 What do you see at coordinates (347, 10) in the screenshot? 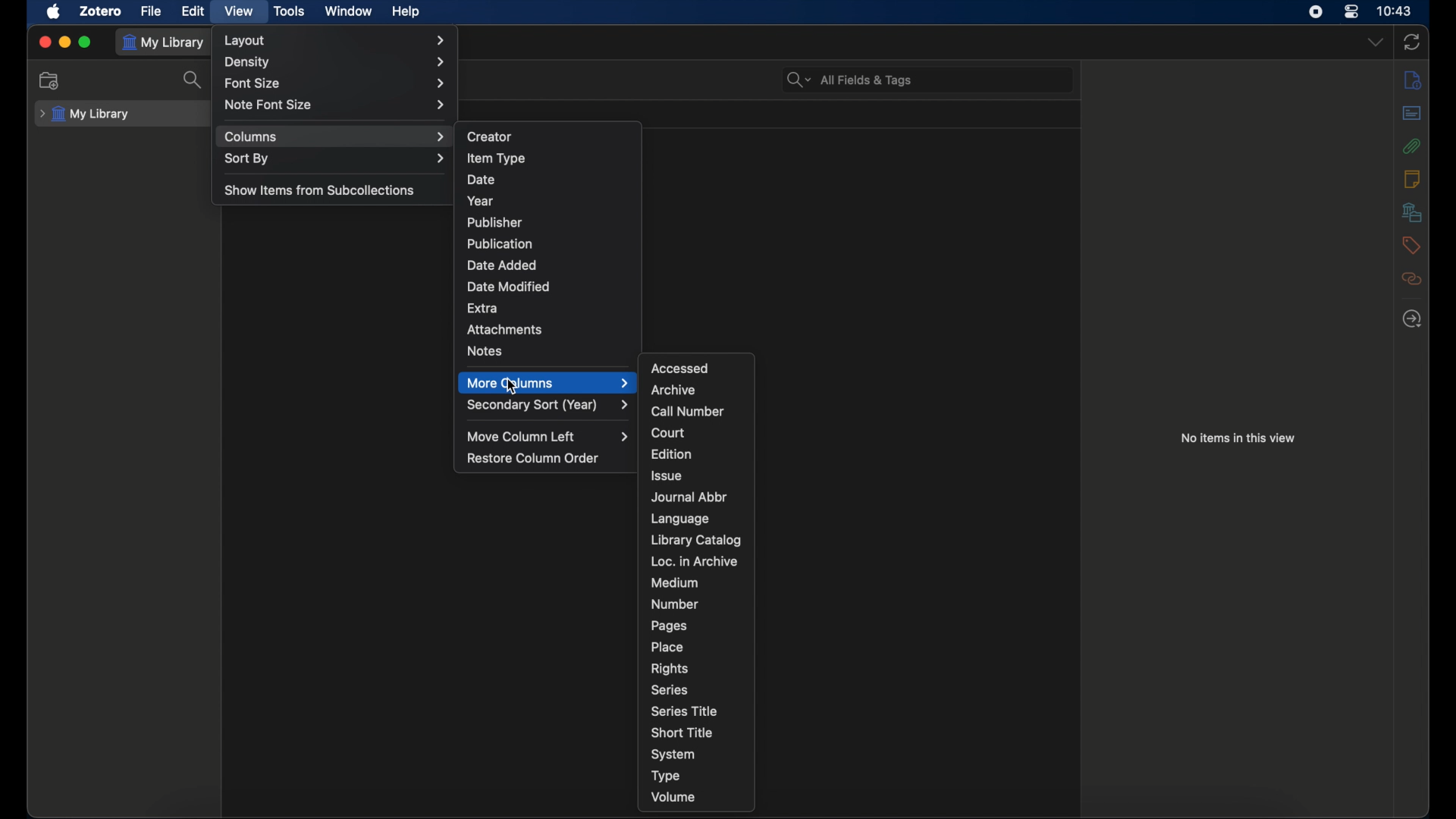
I see `window` at bounding box center [347, 10].